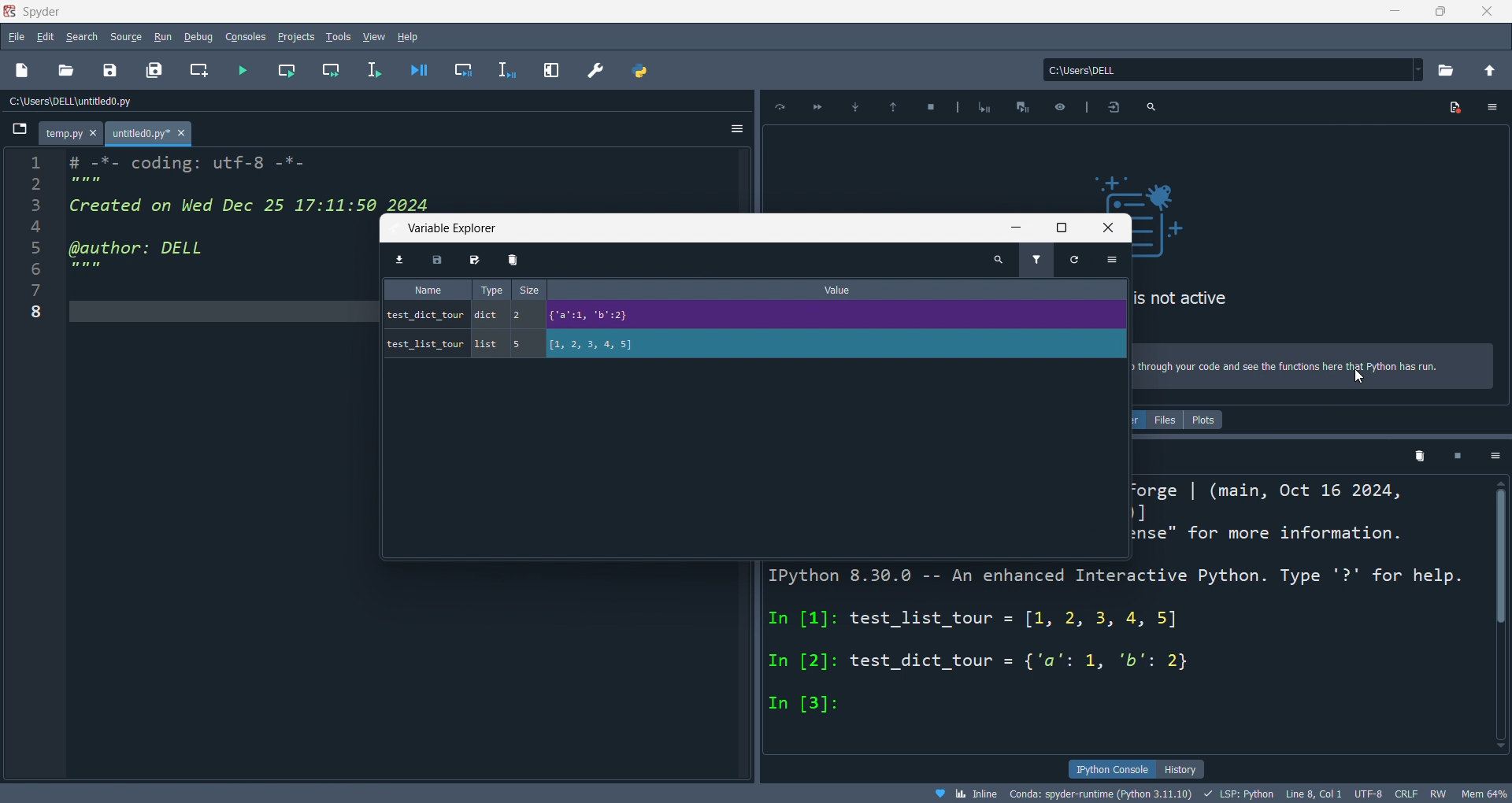 Image resolution: width=1512 pixels, height=803 pixels. I want to click on variable explorer, so click(657, 227).